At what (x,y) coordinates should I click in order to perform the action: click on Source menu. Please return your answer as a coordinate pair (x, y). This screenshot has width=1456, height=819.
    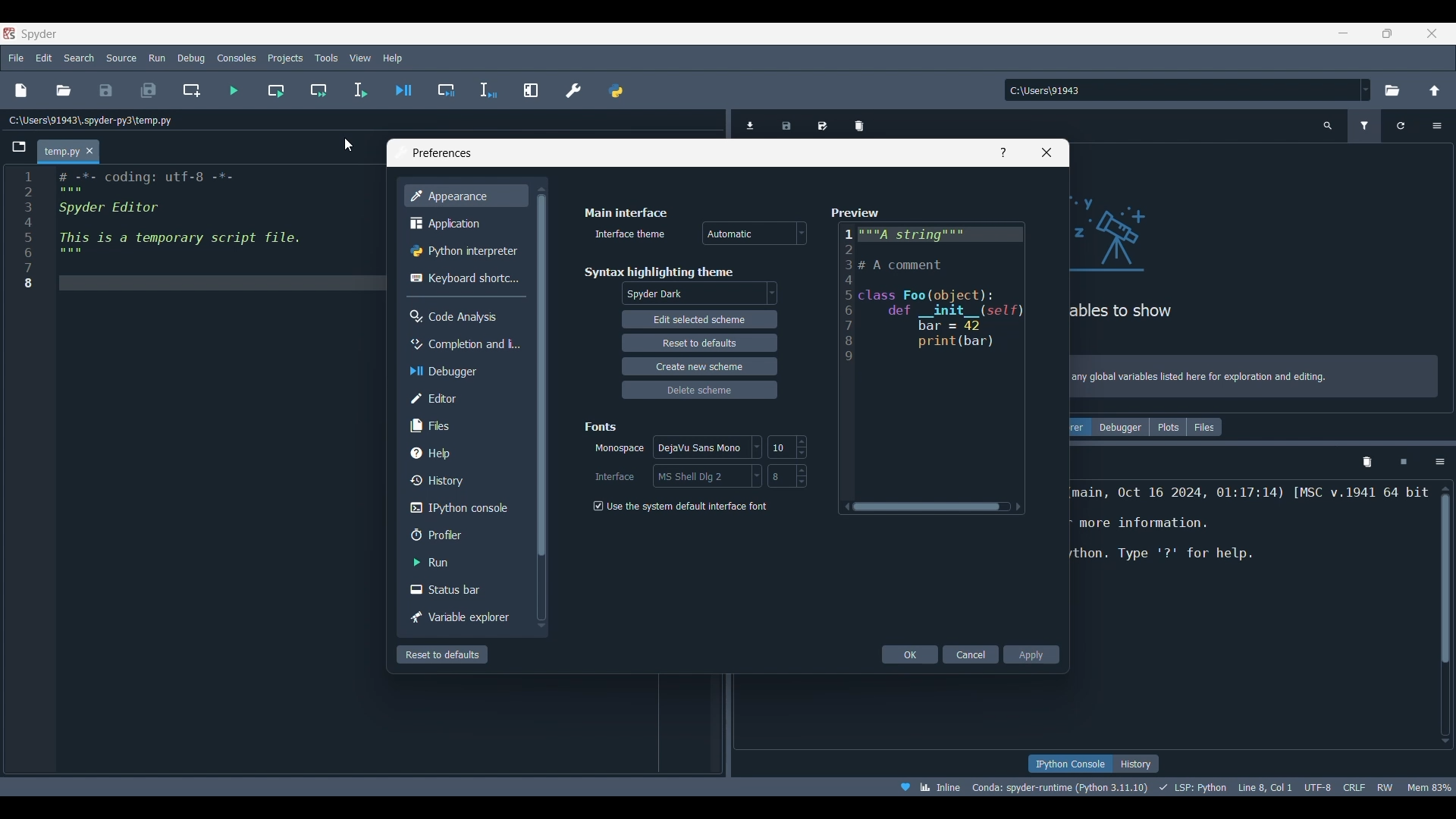
    Looking at the image, I should click on (121, 58).